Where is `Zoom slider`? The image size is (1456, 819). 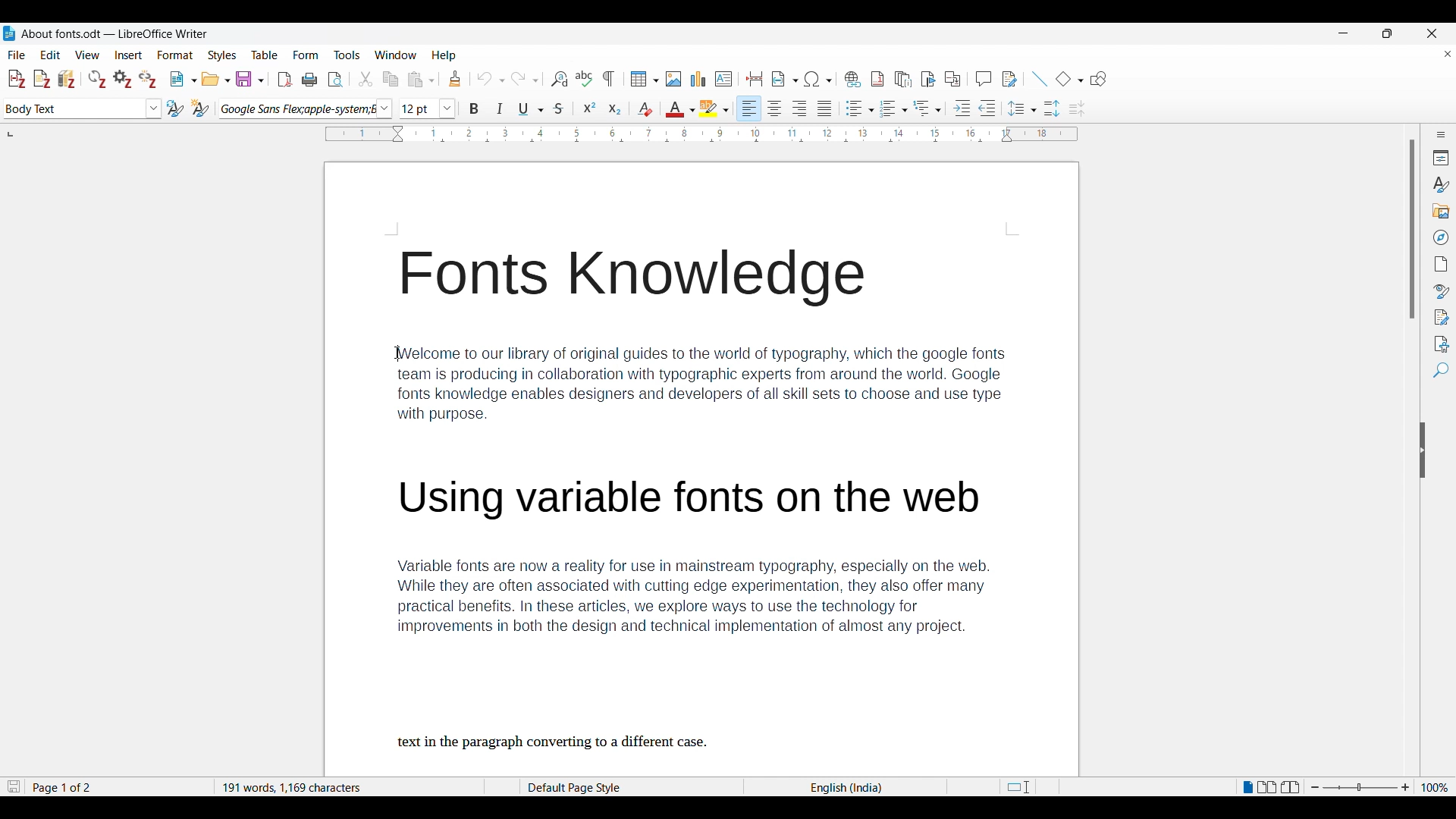 Zoom slider is located at coordinates (1360, 786).